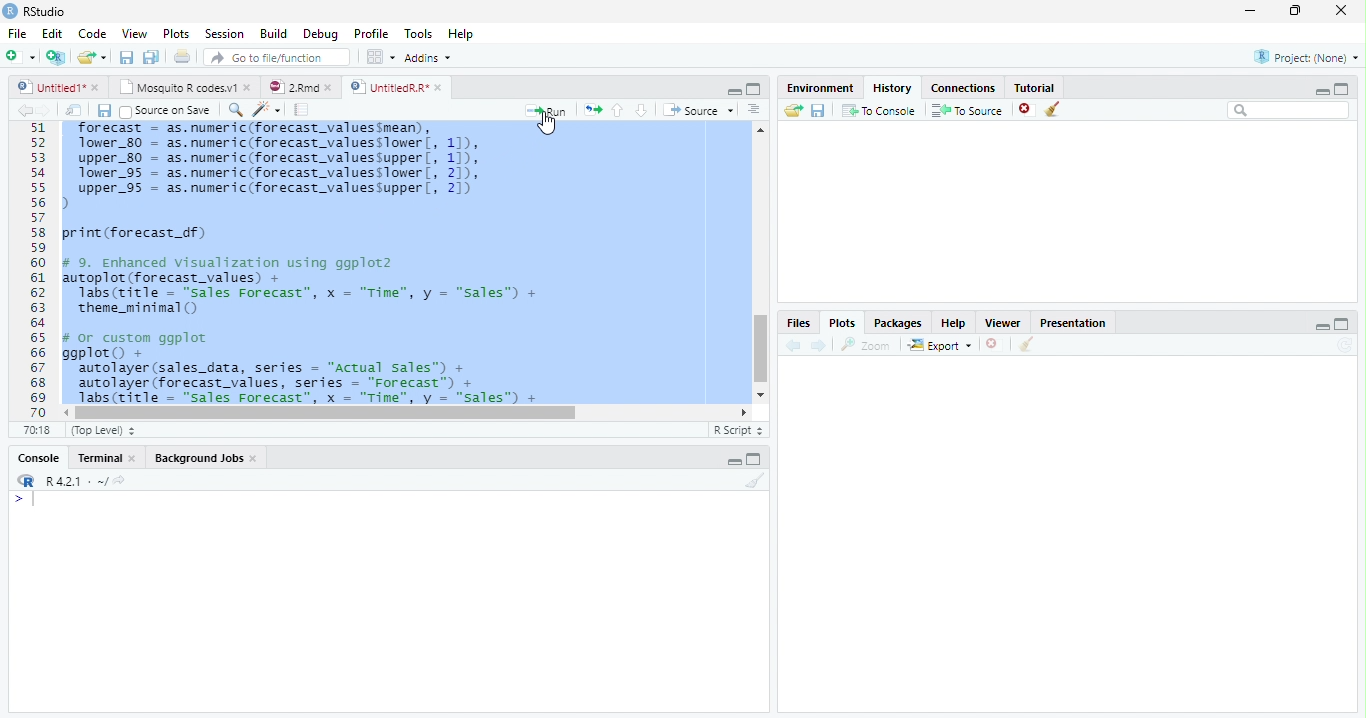  I want to click on Tutorial, so click(1034, 88).